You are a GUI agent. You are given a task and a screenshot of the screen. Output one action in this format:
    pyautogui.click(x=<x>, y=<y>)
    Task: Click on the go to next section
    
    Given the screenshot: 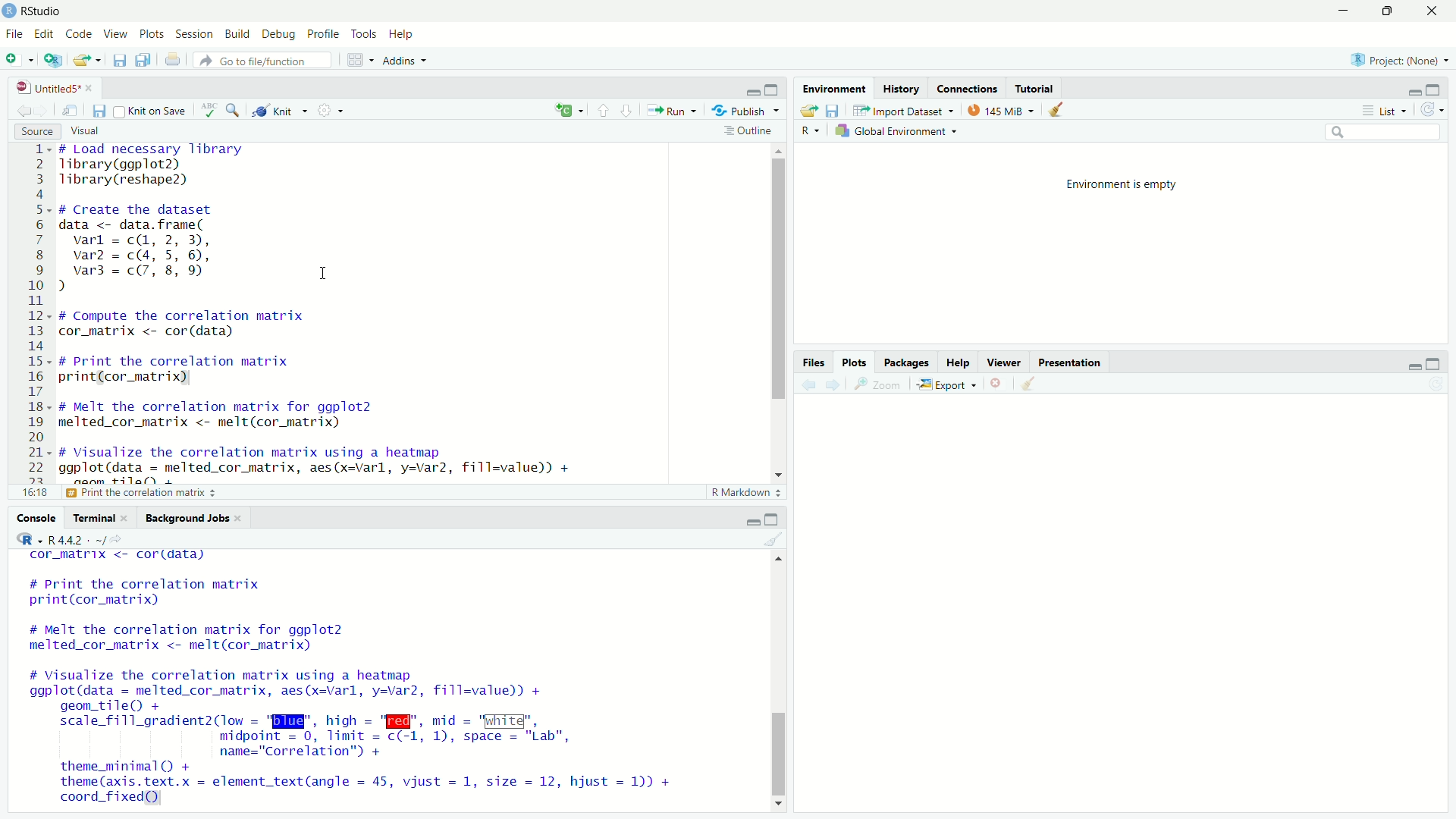 What is the action you would take?
    pyautogui.click(x=626, y=109)
    